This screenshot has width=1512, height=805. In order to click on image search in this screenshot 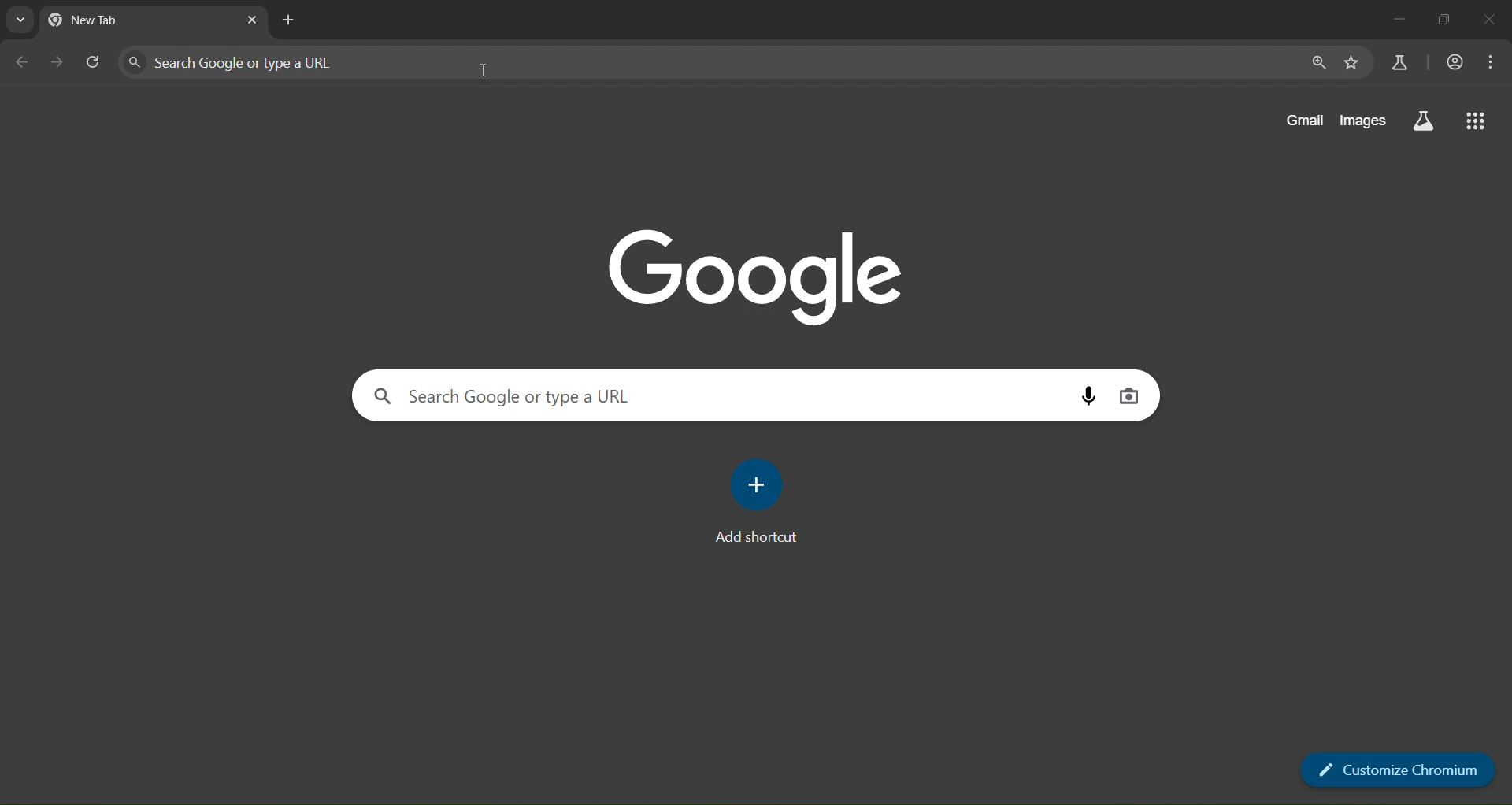, I will do `click(1126, 395)`.